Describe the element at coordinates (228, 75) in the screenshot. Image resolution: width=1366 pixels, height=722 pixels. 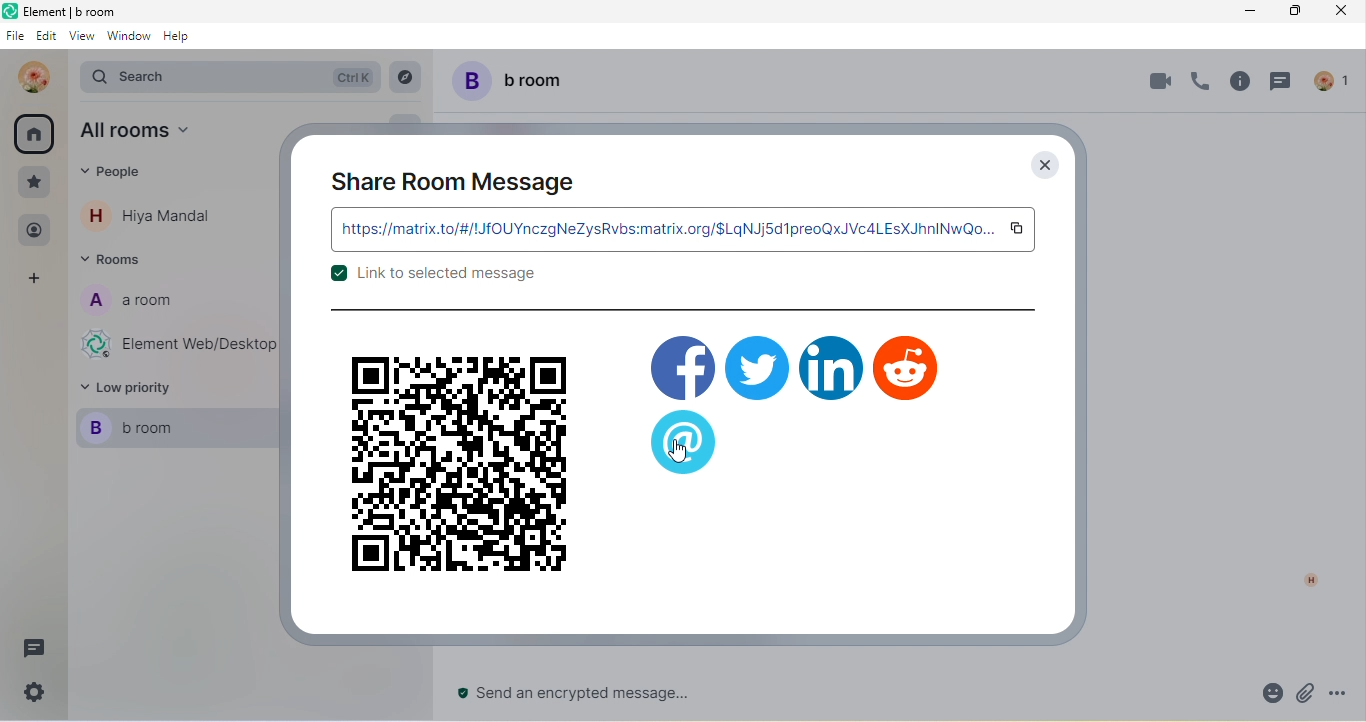
I see `search bar` at that location.